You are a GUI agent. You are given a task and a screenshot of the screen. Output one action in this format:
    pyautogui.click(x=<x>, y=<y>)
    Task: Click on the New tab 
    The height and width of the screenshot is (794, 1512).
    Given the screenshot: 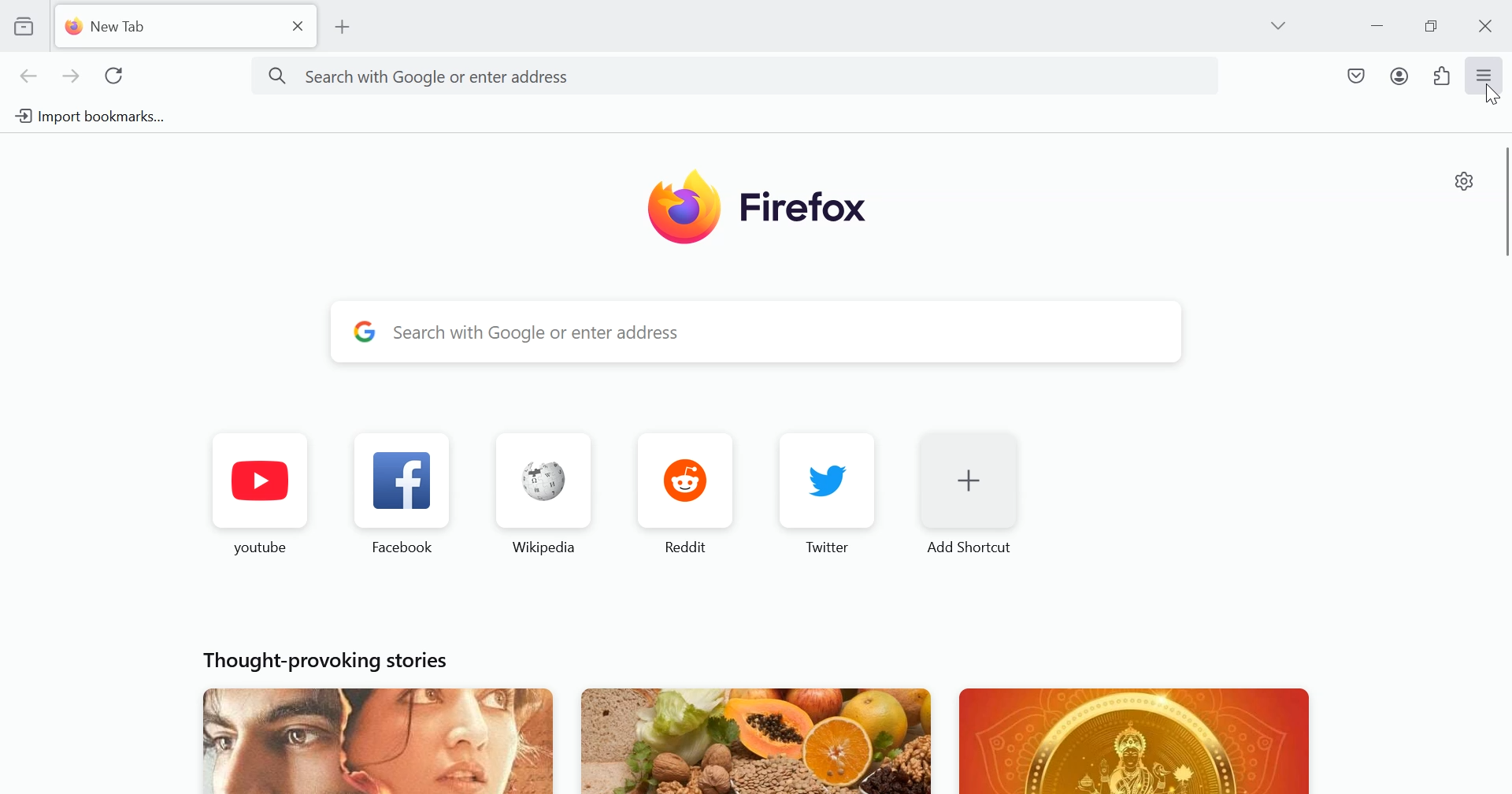 What is the action you would take?
    pyautogui.click(x=152, y=28)
    